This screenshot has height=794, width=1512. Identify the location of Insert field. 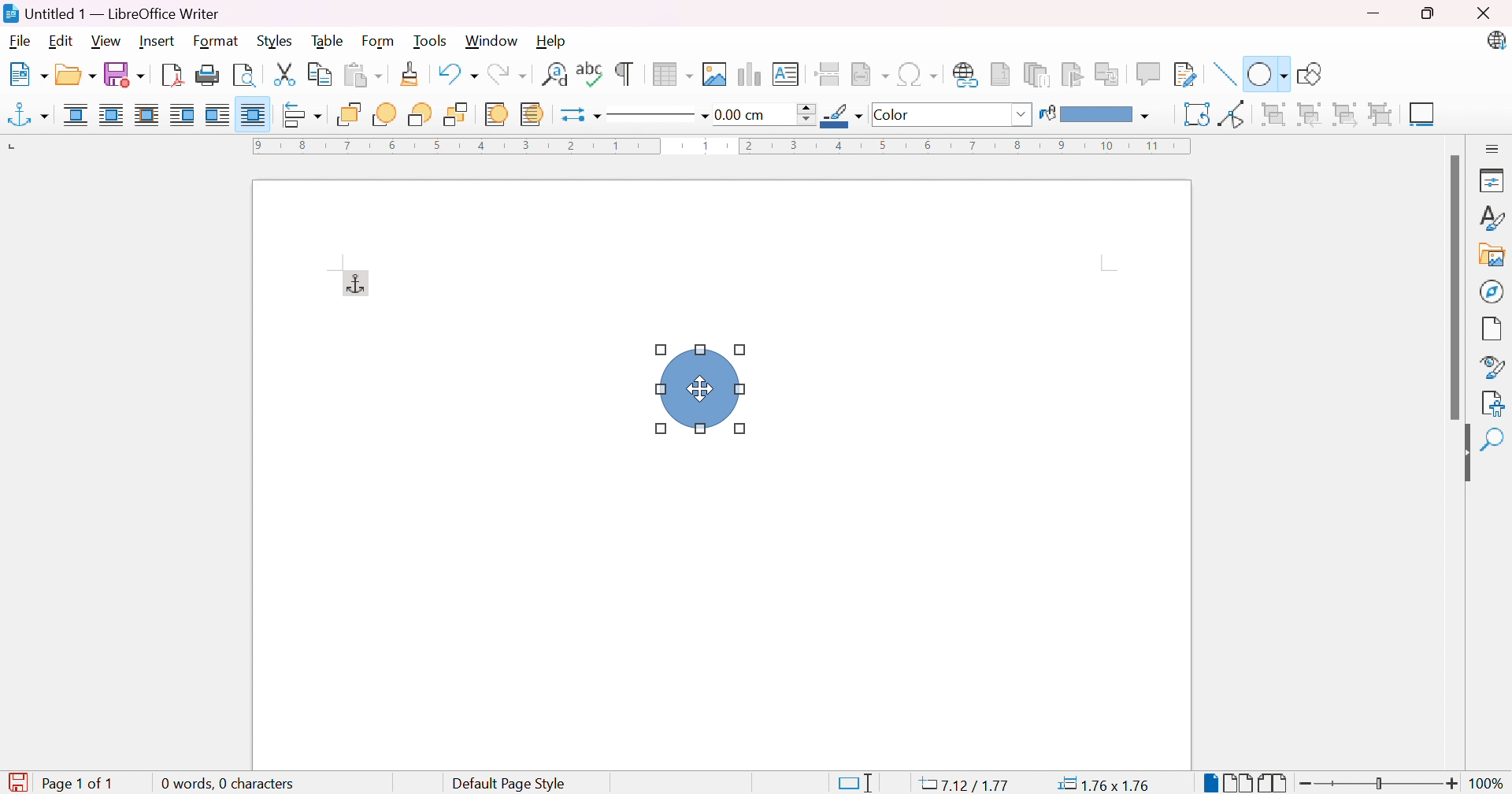
(869, 75).